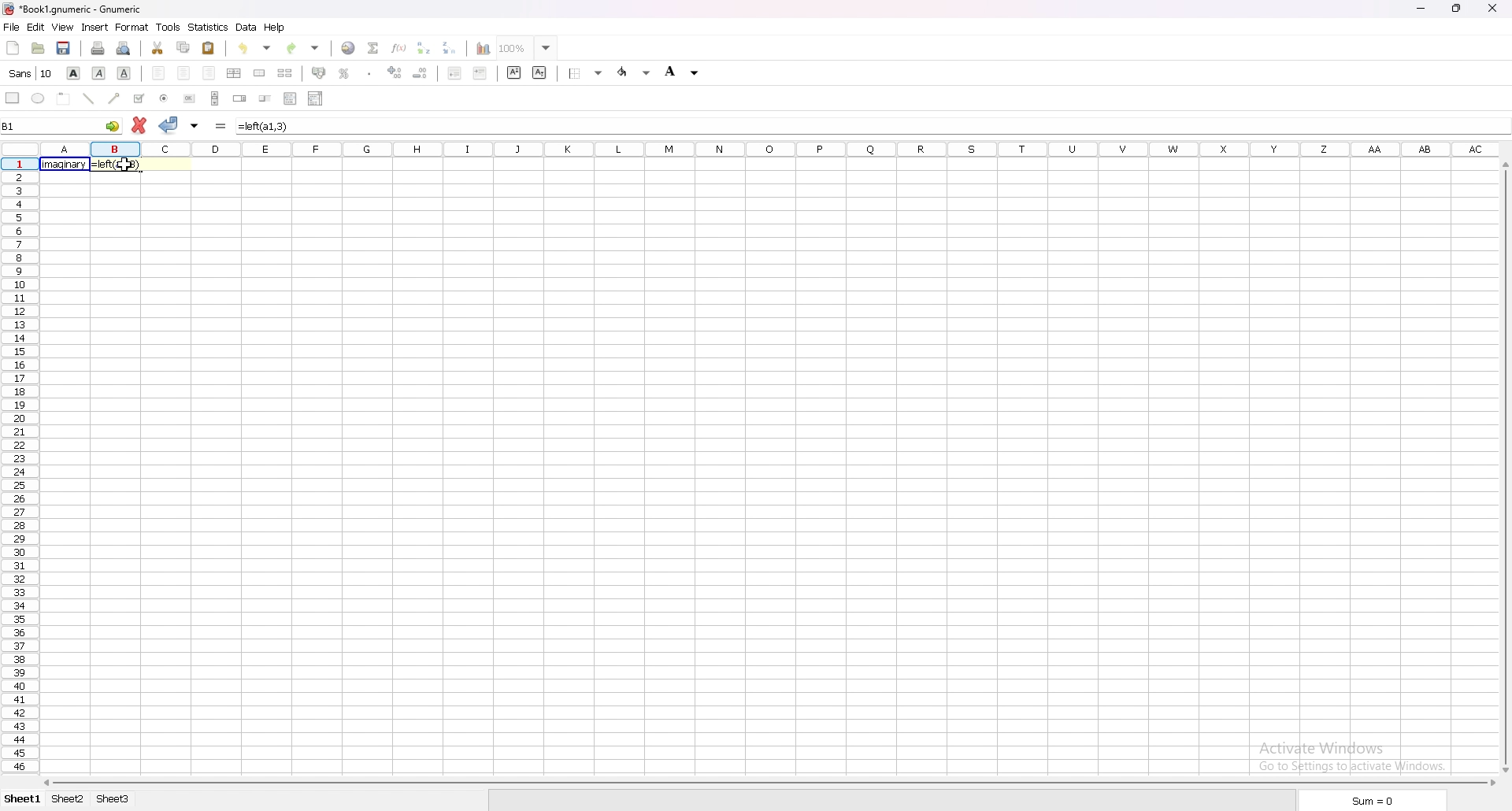 The height and width of the screenshot is (811, 1512). What do you see at coordinates (319, 72) in the screenshot?
I see `accounting` at bounding box center [319, 72].